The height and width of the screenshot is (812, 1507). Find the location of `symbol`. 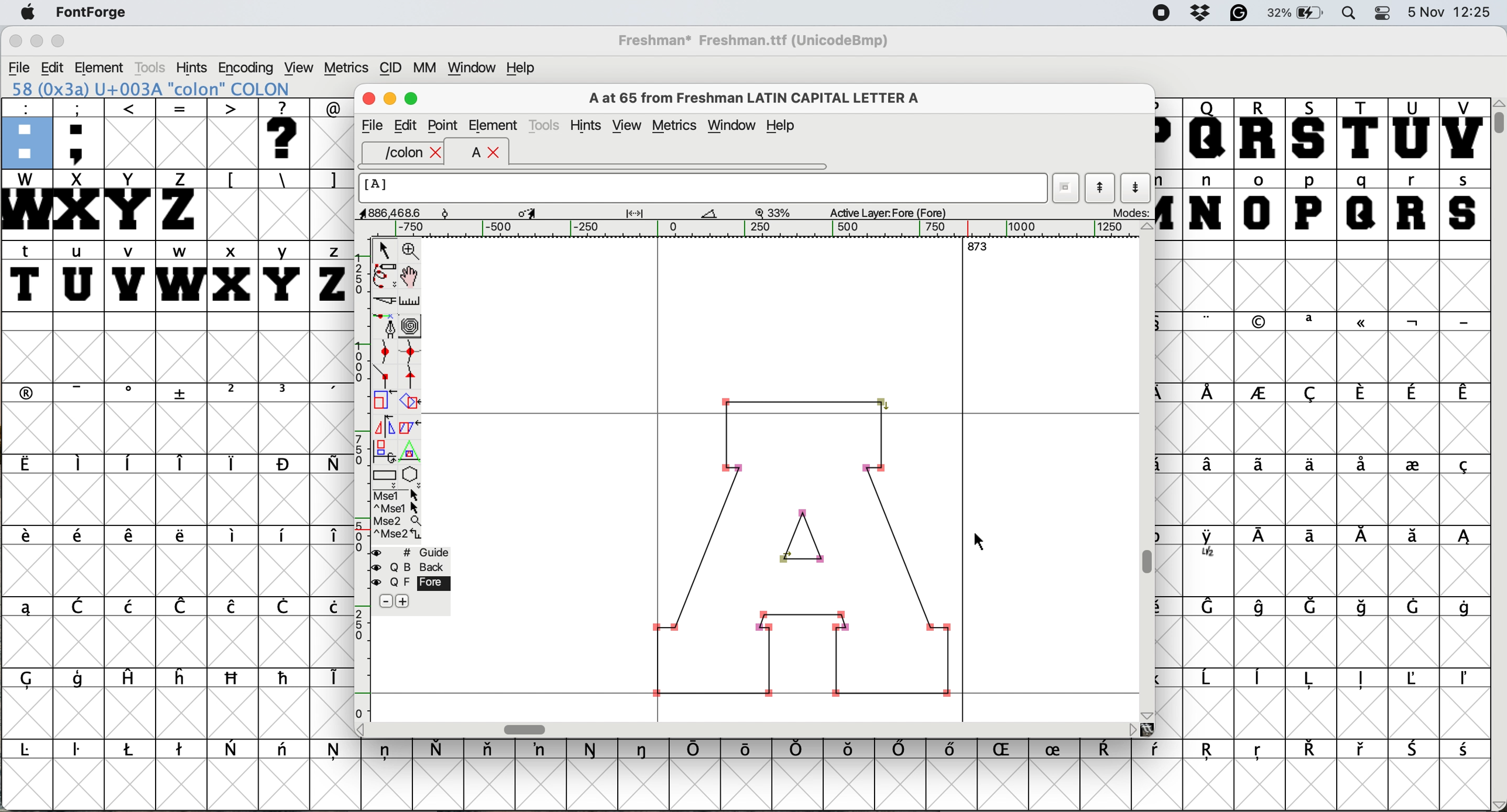

symbol is located at coordinates (330, 607).